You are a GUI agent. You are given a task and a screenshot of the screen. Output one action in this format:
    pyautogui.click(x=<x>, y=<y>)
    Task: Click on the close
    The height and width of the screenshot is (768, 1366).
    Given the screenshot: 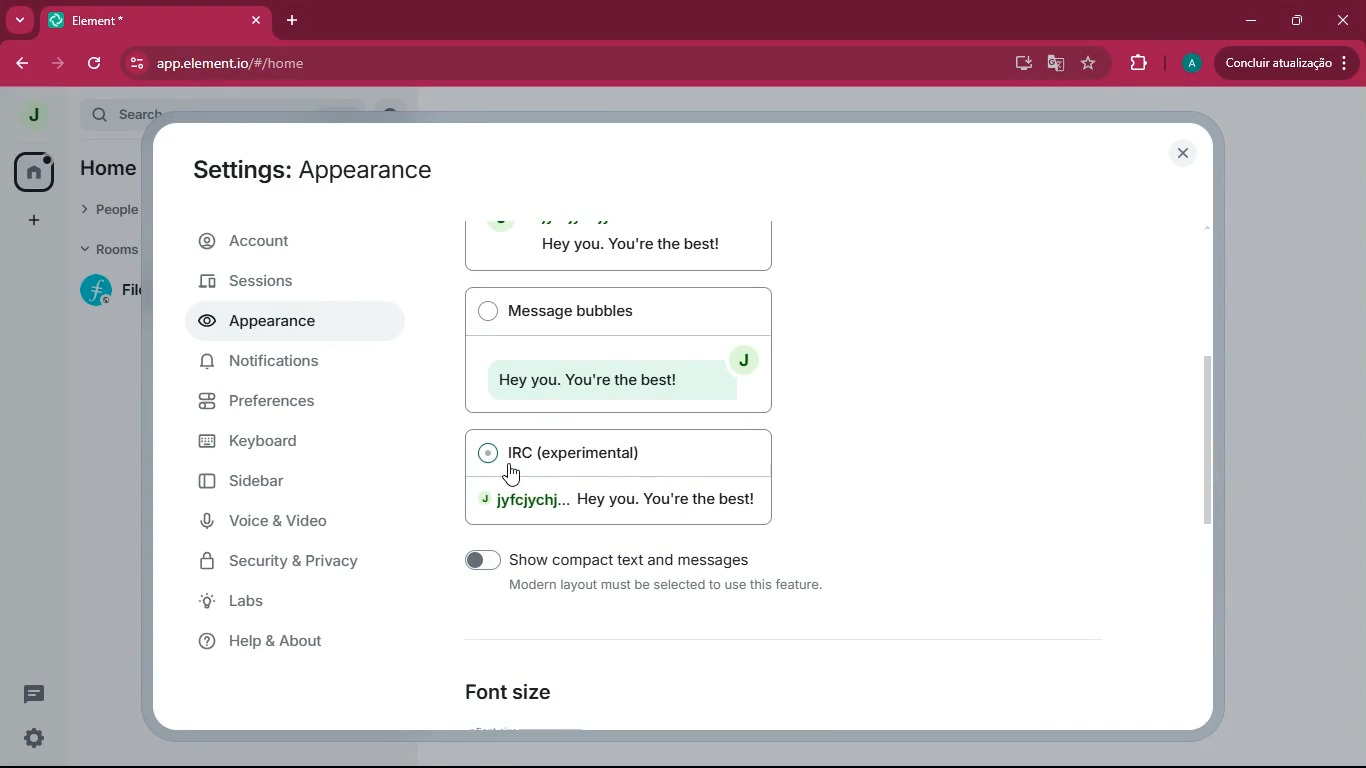 What is the action you would take?
    pyautogui.click(x=1180, y=151)
    